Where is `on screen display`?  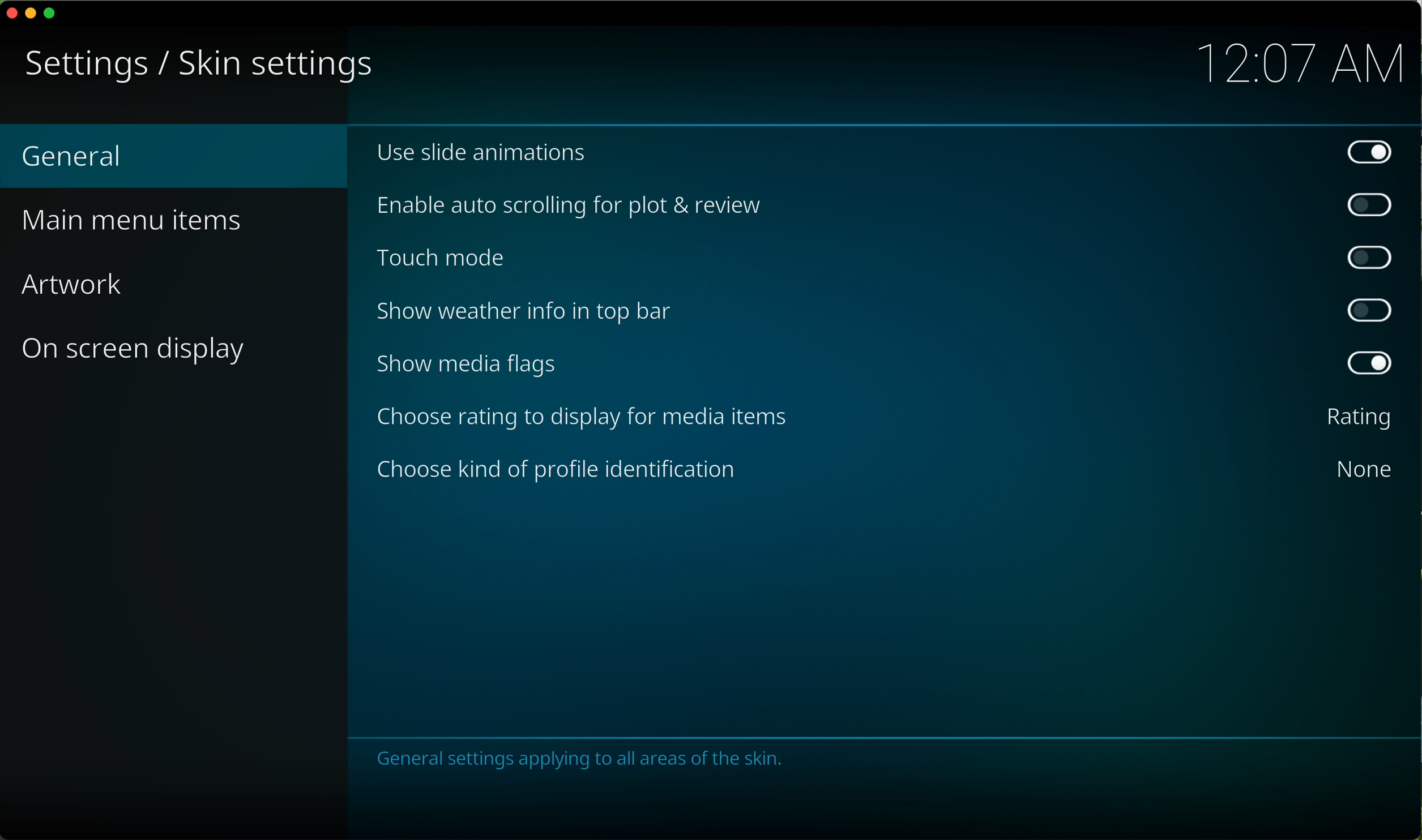
on screen display is located at coordinates (133, 350).